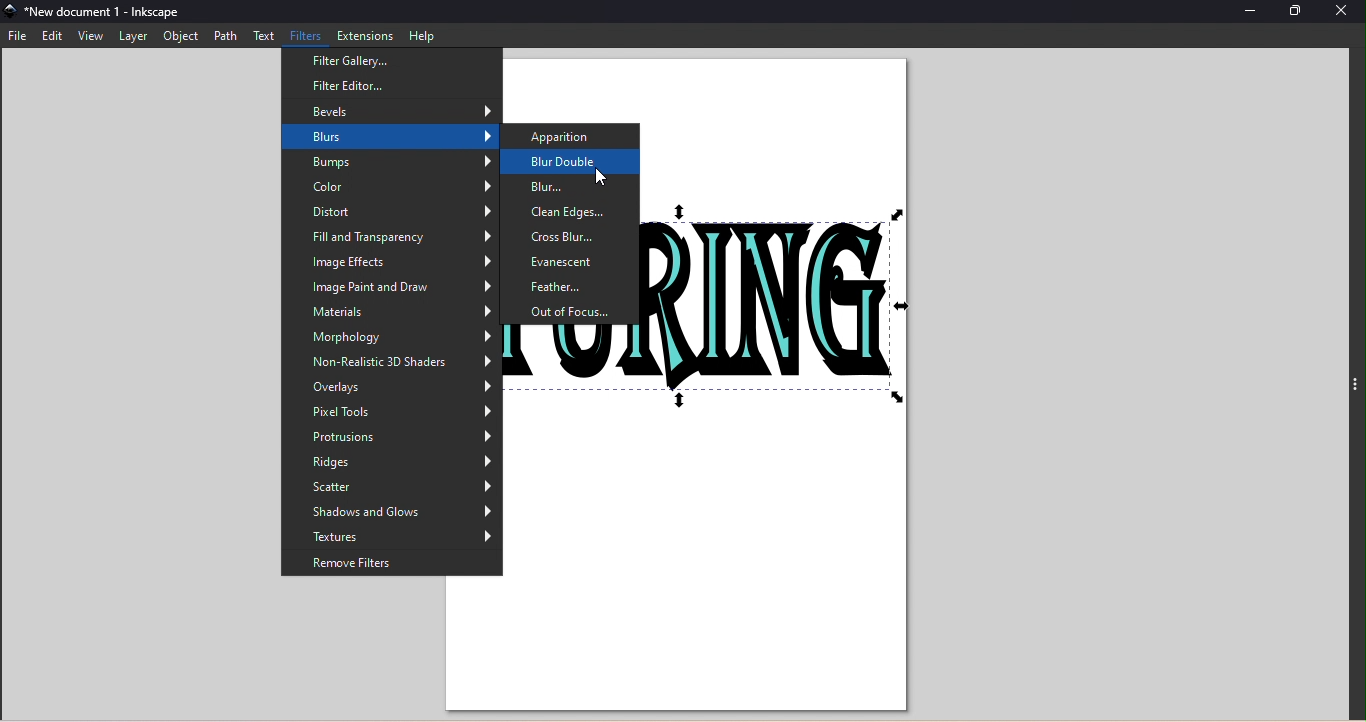 This screenshot has width=1366, height=722. What do you see at coordinates (392, 239) in the screenshot?
I see `Fill and transparency` at bounding box center [392, 239].